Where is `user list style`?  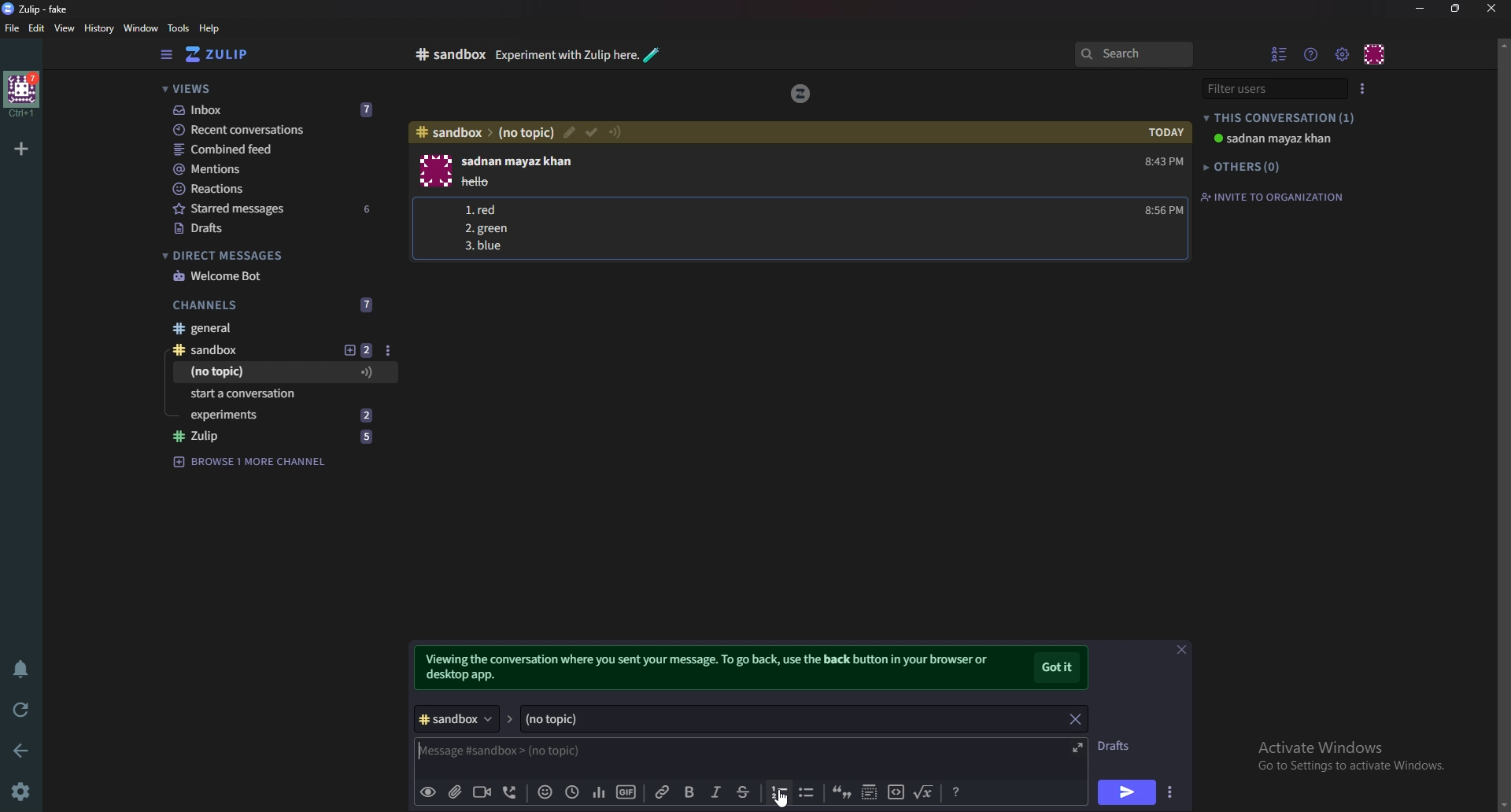 user list style is located at coordinates (1366, 87).